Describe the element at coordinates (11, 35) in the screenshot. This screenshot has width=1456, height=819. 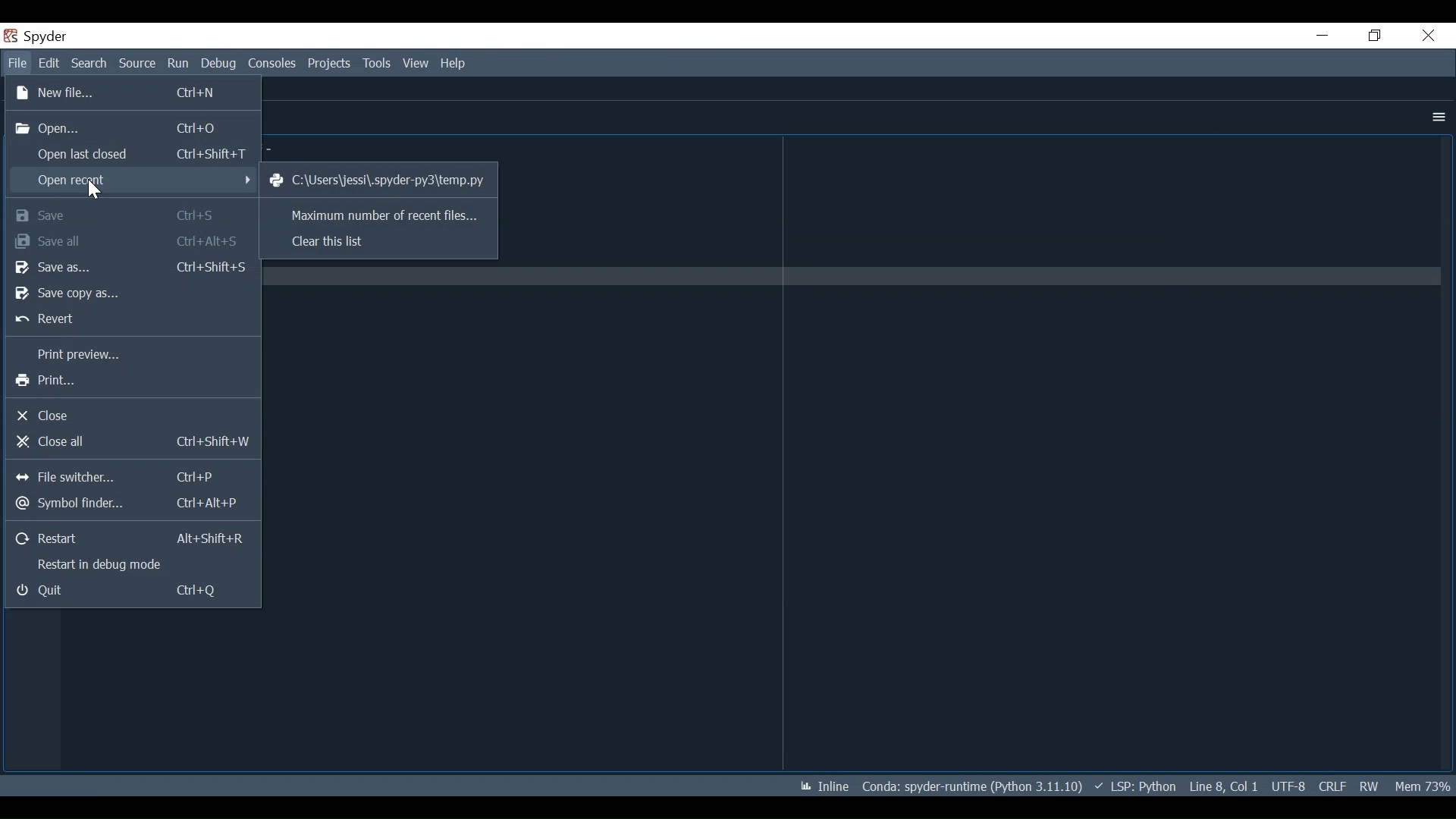
I see `Spyder Desktop Icon` at that location.